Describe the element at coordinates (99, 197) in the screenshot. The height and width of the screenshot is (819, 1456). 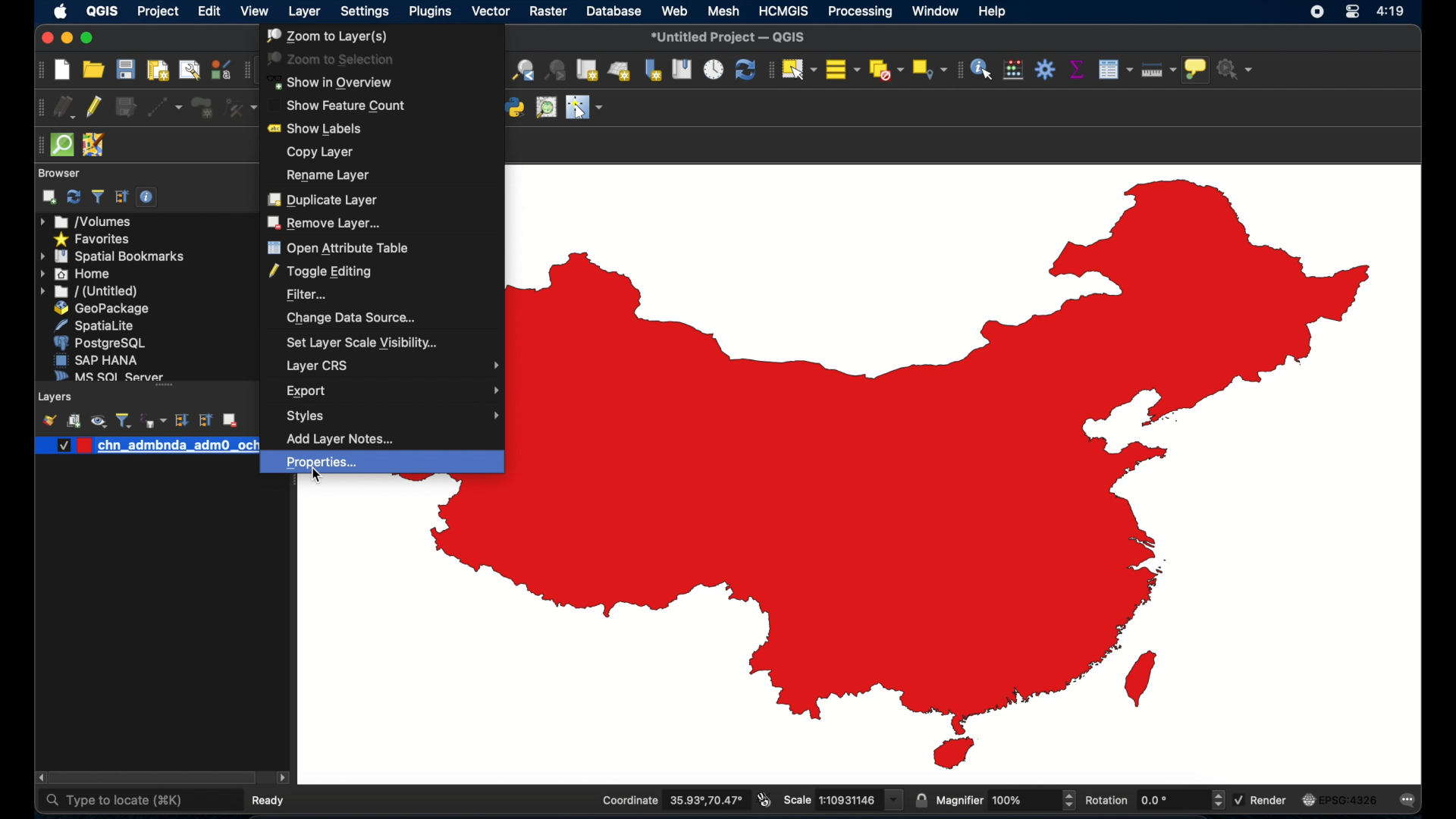
I see `filter browser` at that location.